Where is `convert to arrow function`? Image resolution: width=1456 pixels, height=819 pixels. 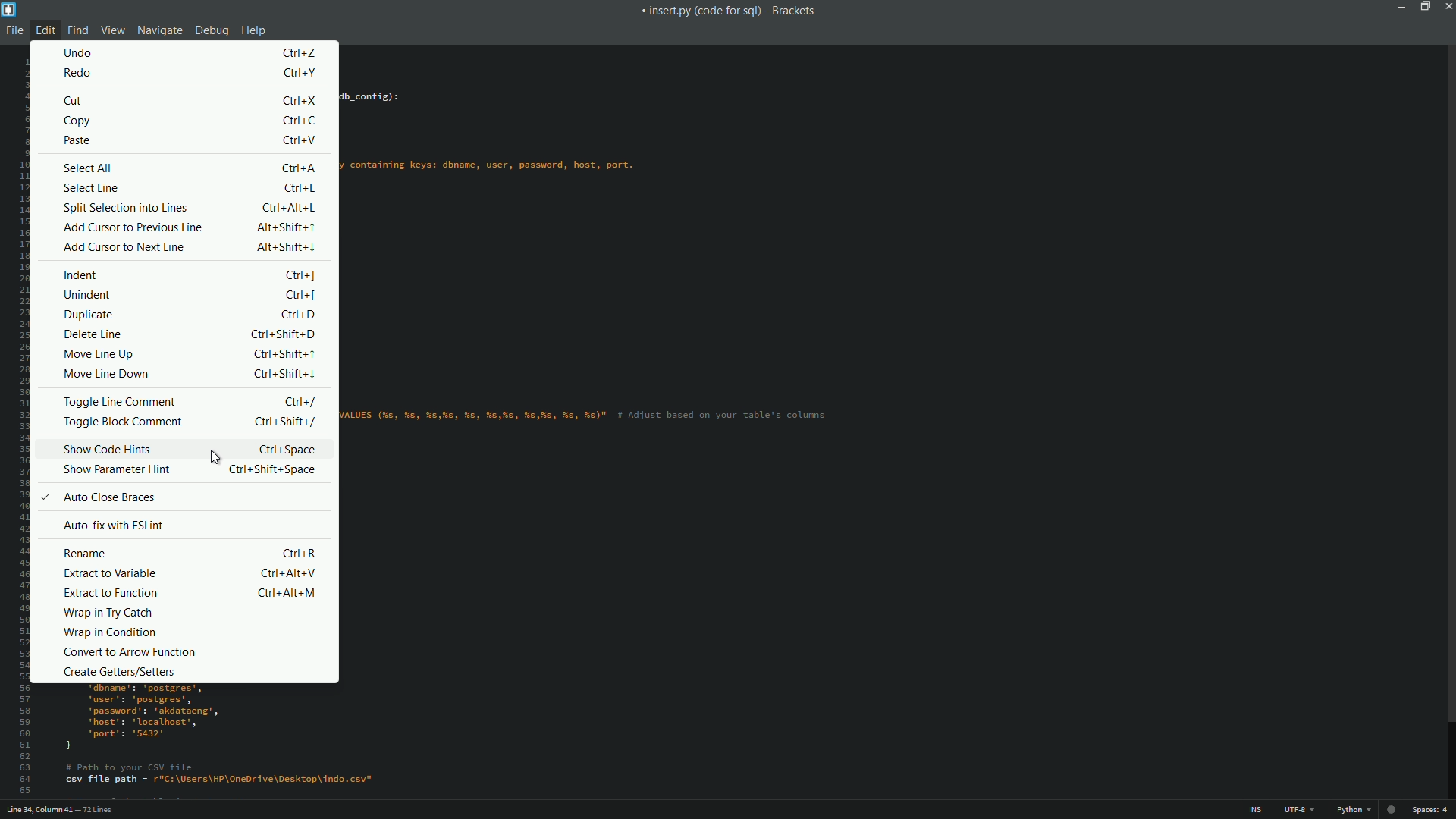 convert to arrow function is located at coordinates (128, 651).